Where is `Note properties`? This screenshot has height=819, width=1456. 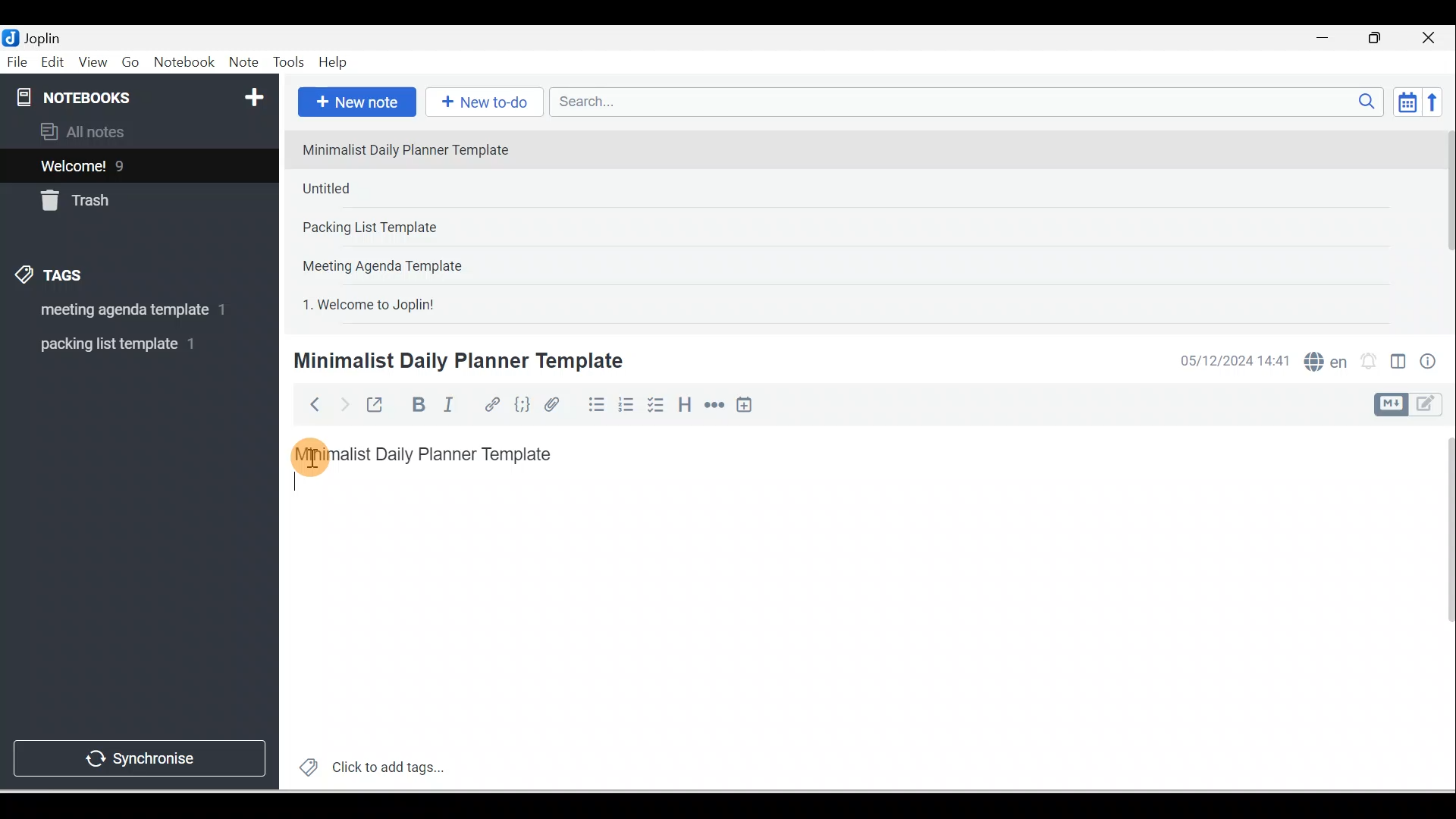 Note properties is located at coordinates (1429, 363).